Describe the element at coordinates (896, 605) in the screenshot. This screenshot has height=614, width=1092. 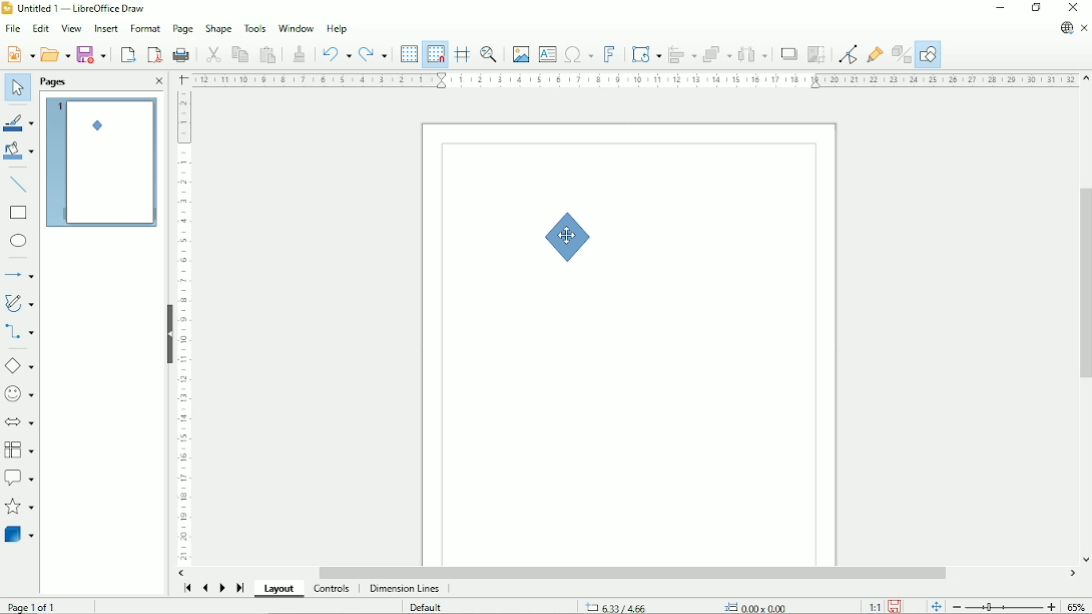
I see `Save` at that location.